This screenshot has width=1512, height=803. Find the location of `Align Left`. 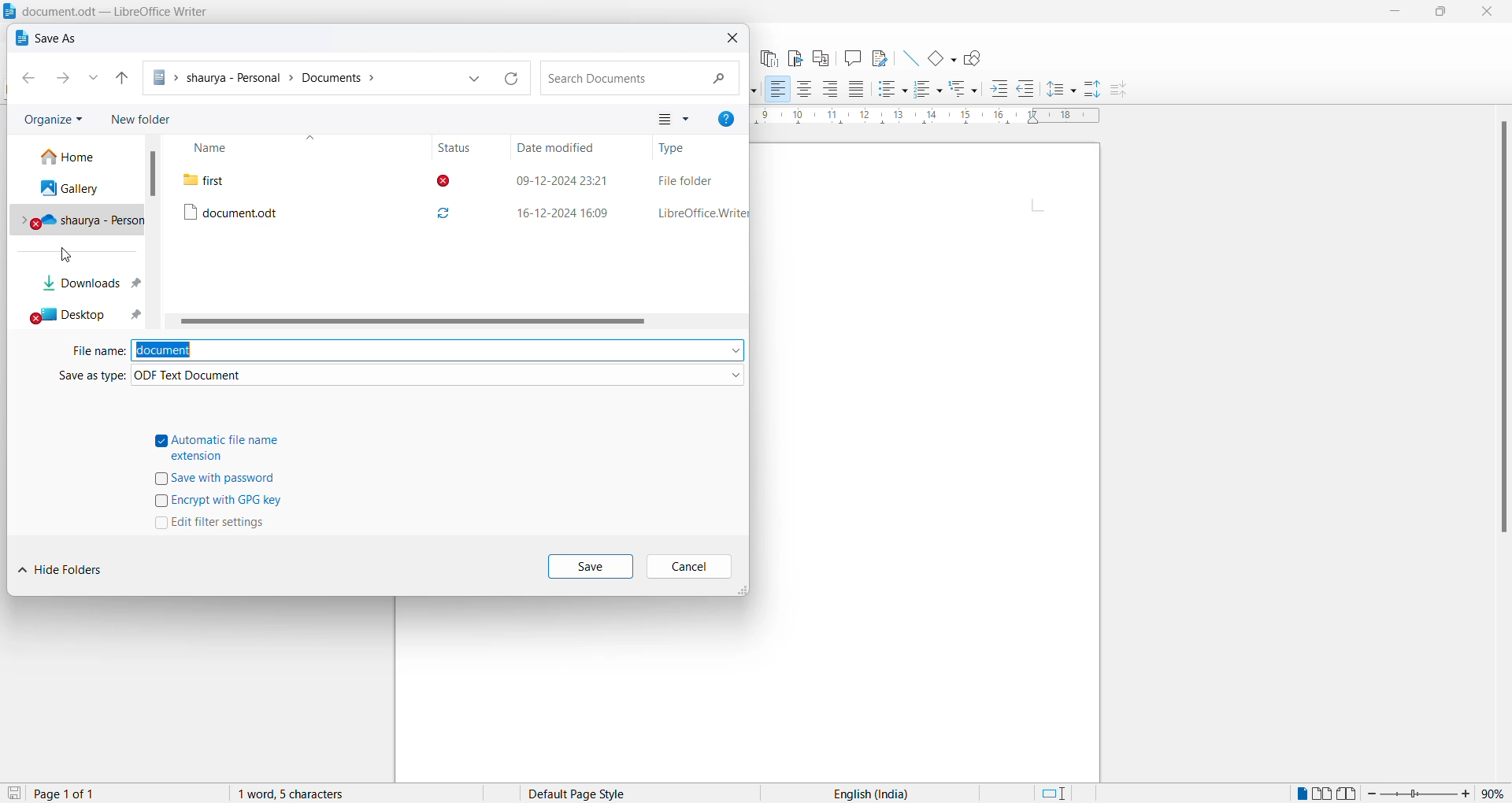

Align Left is located at coordinates (777, 90).